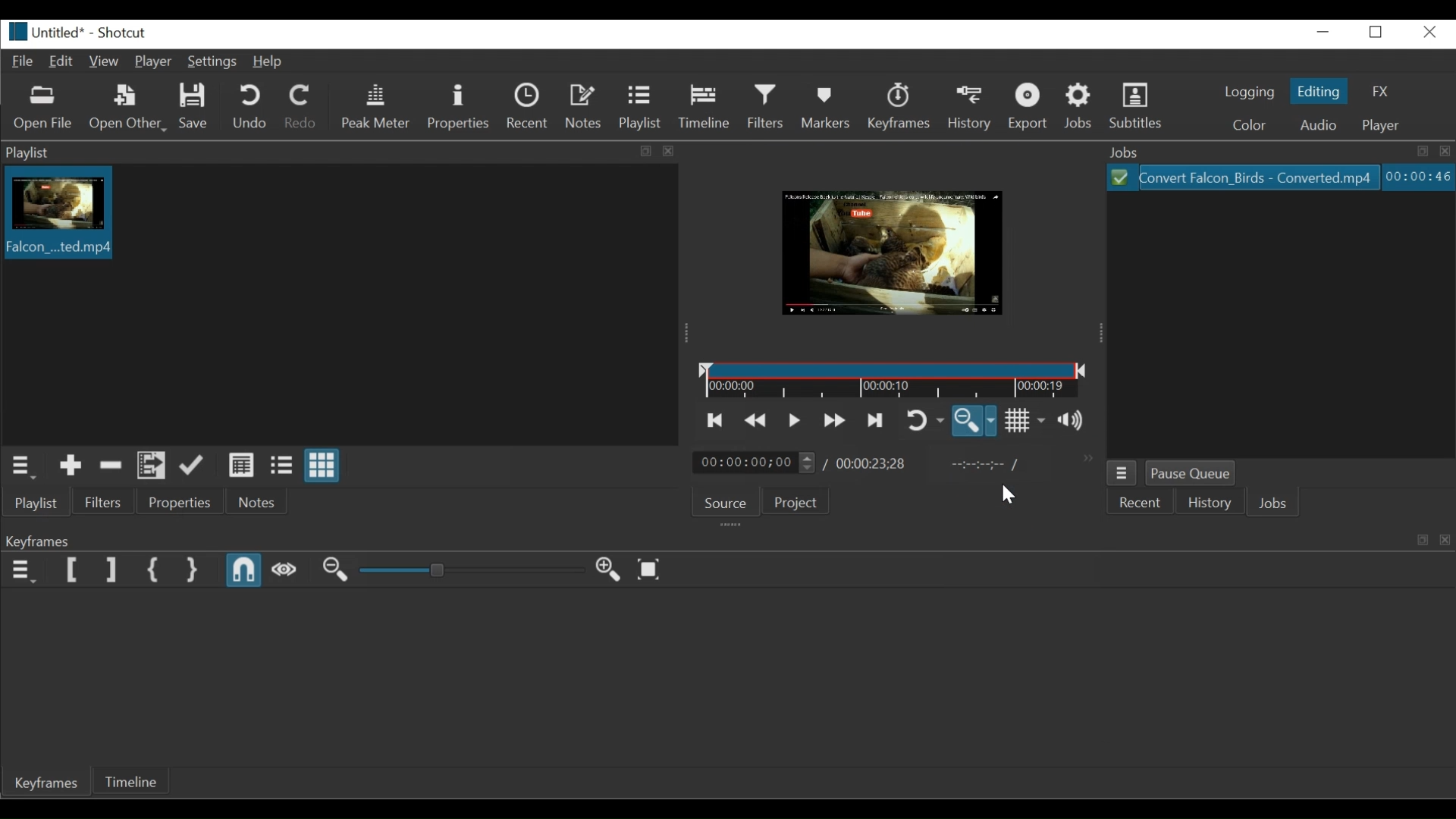 The height and width of the screenshot is (819, 1456). I want to click on Properties, so click(459, 106).